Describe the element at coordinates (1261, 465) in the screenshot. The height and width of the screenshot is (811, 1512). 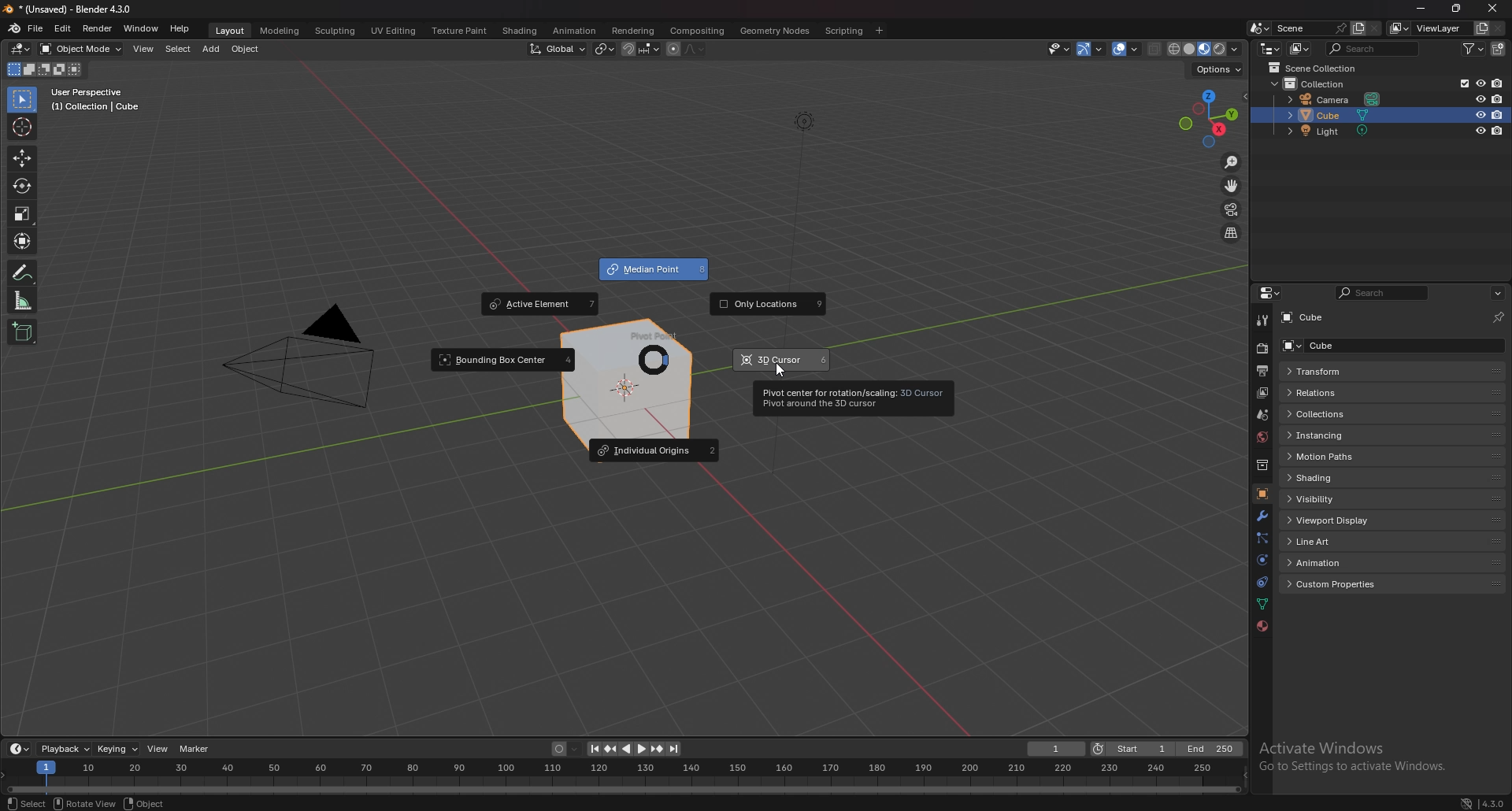
I see `collection` at that location.